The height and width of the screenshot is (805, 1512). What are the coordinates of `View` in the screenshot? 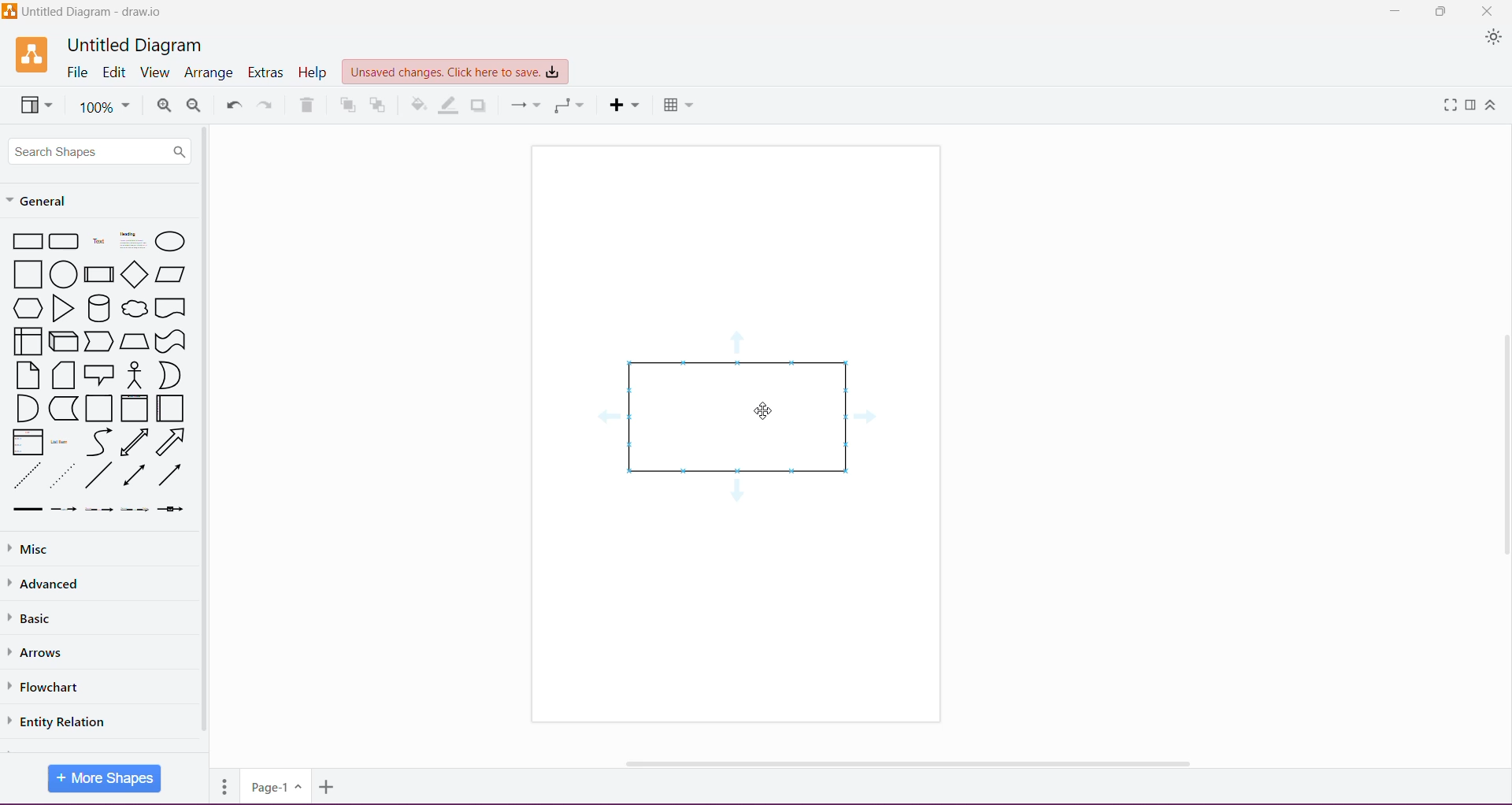 It's located at (35, 105).